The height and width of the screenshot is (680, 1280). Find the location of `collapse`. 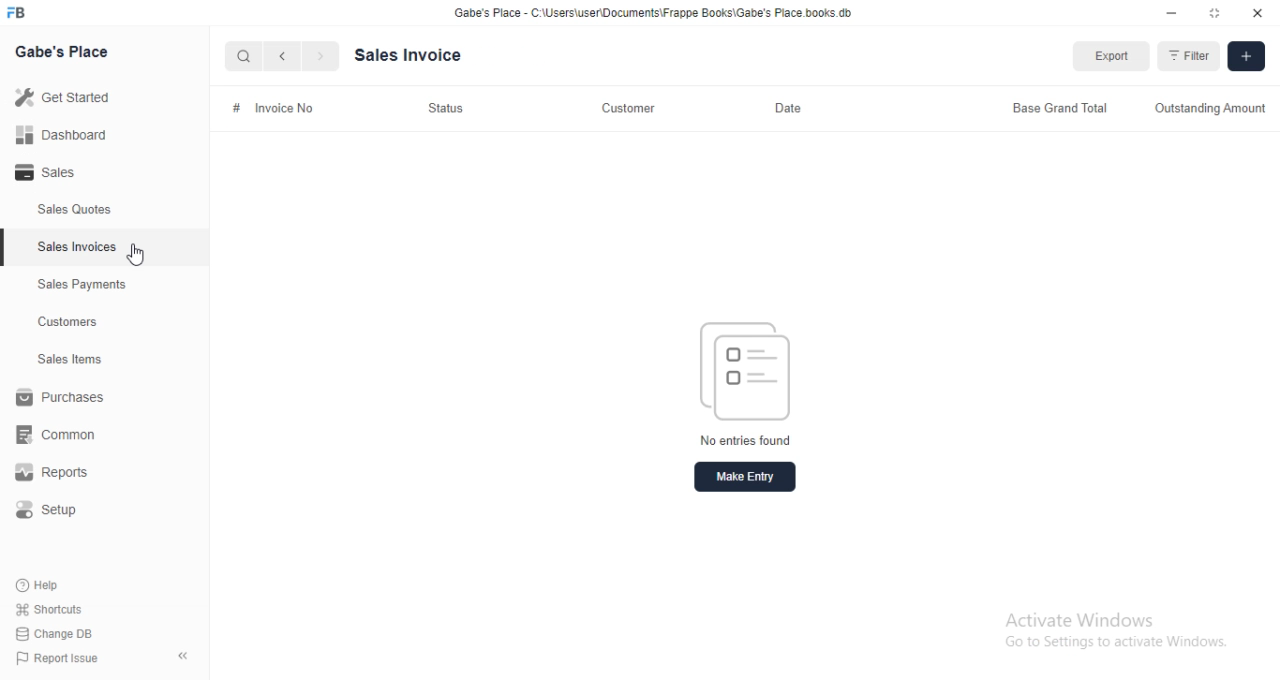

collapse is located at coordinates (181, 653).